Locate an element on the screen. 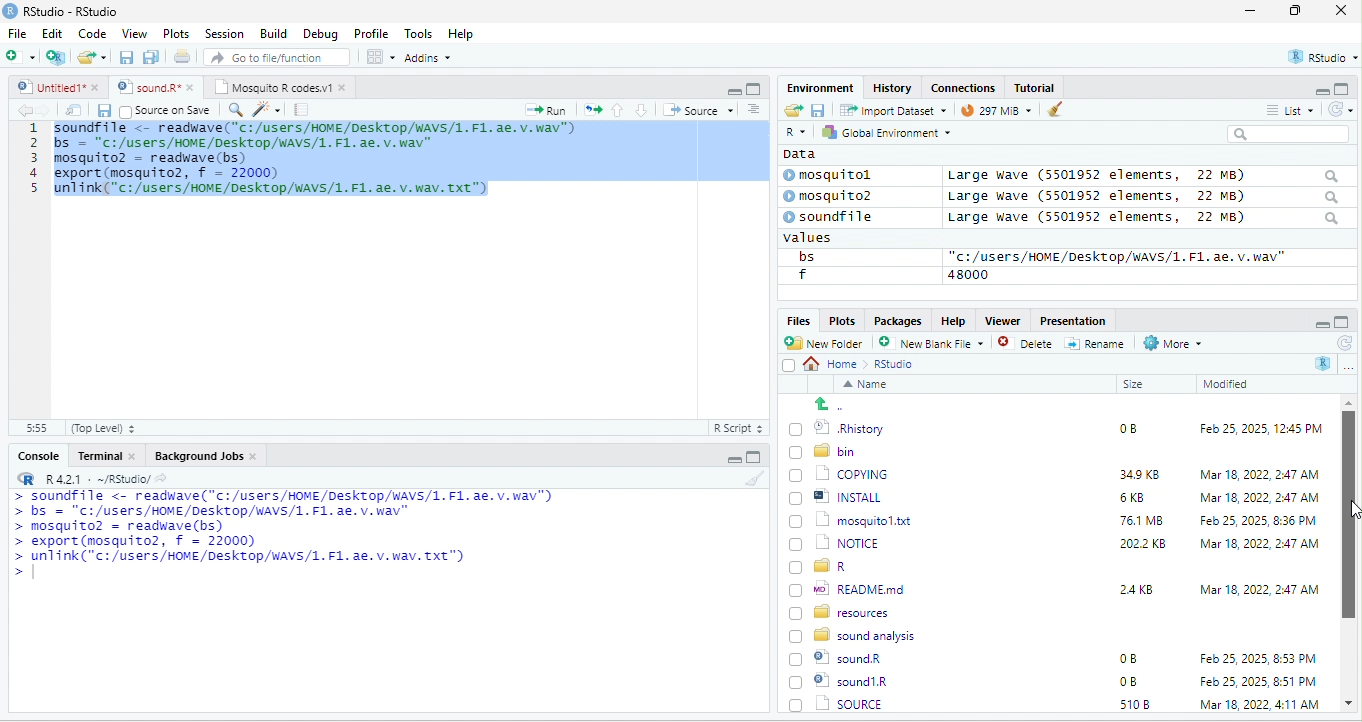 This screenshot has width=1362, height=722. Large wave (5501952 elements, 22 MB) is located at coordinates (1142, 175).